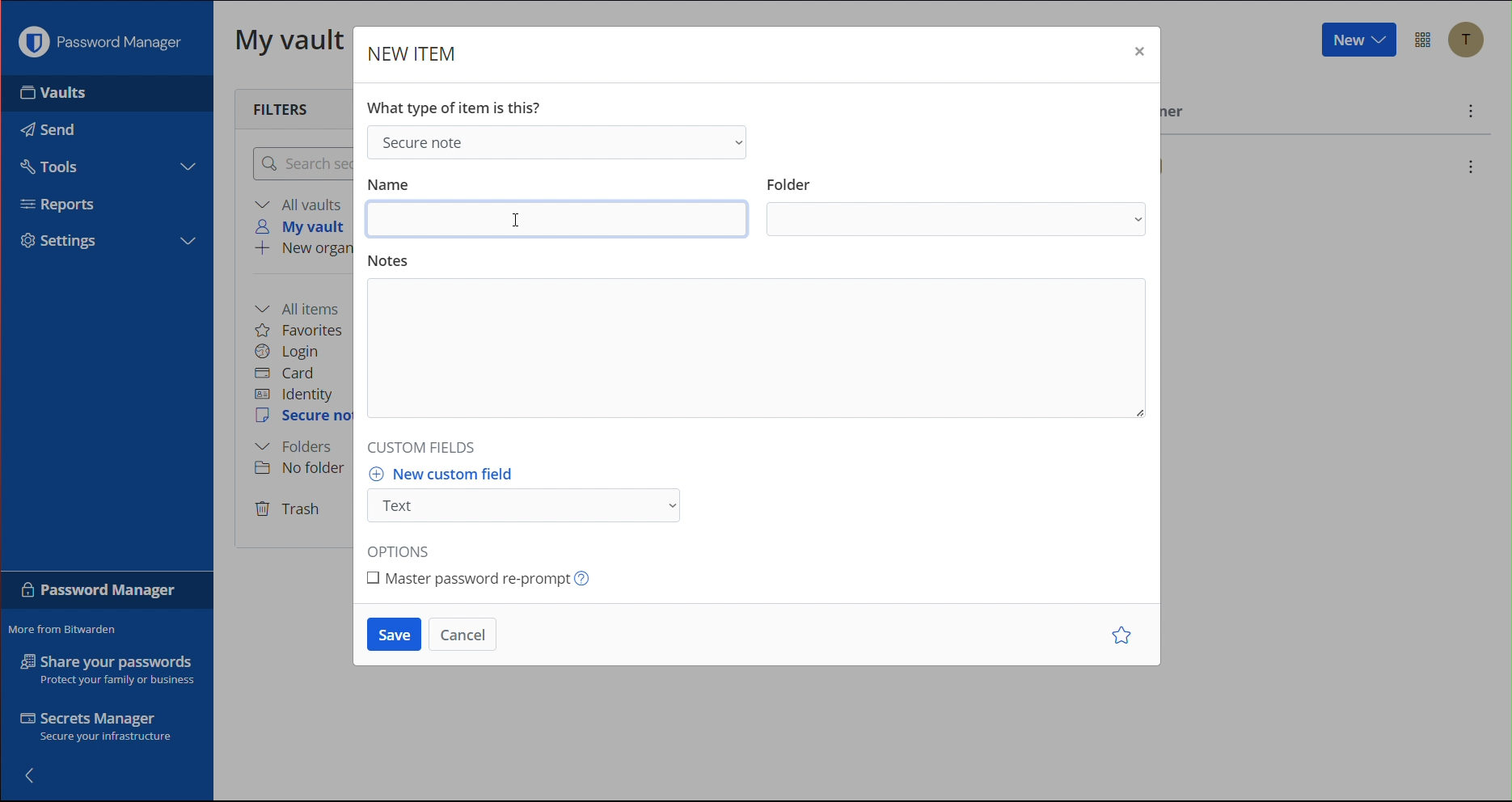  Describe the element at coordinates (44, 125) in the screenshot. I see `Send` at that location.